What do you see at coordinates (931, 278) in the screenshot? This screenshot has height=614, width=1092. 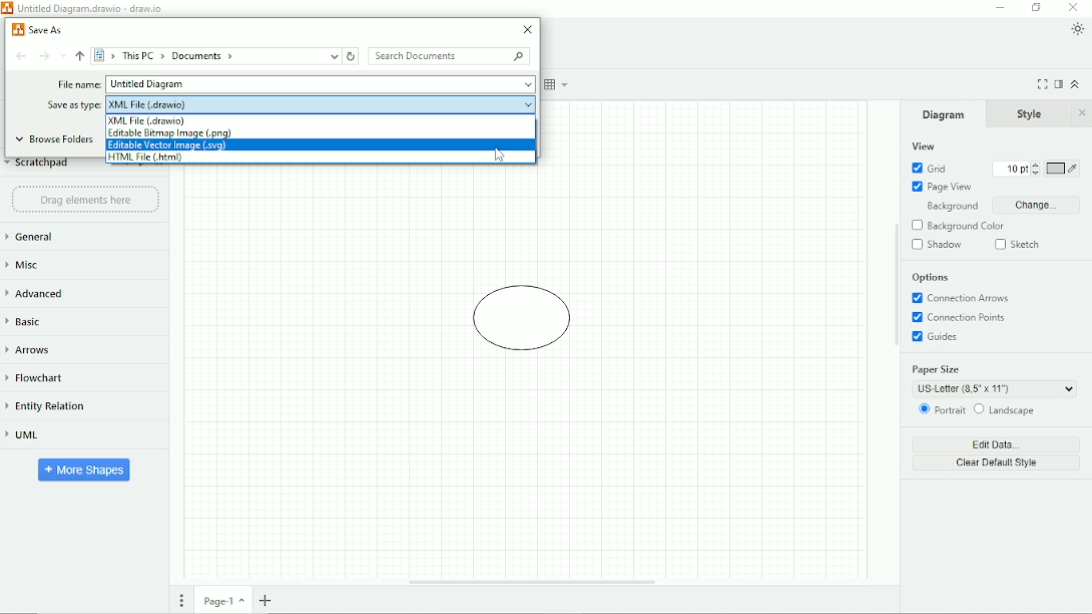 I see `Options` at bounding box center [931, 278].